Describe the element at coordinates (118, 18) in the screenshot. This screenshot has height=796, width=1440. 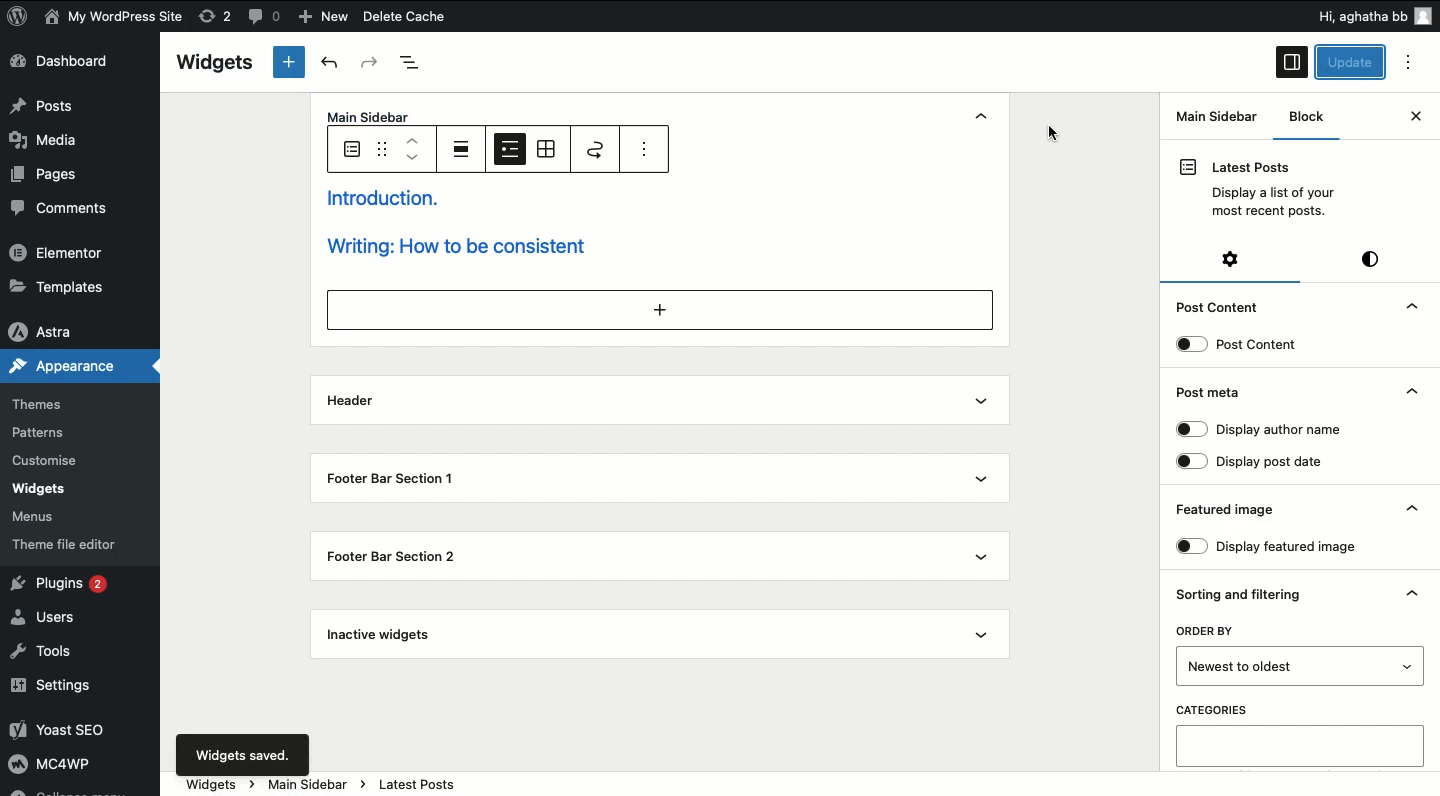
I see ` My WordPress Site` at that location.